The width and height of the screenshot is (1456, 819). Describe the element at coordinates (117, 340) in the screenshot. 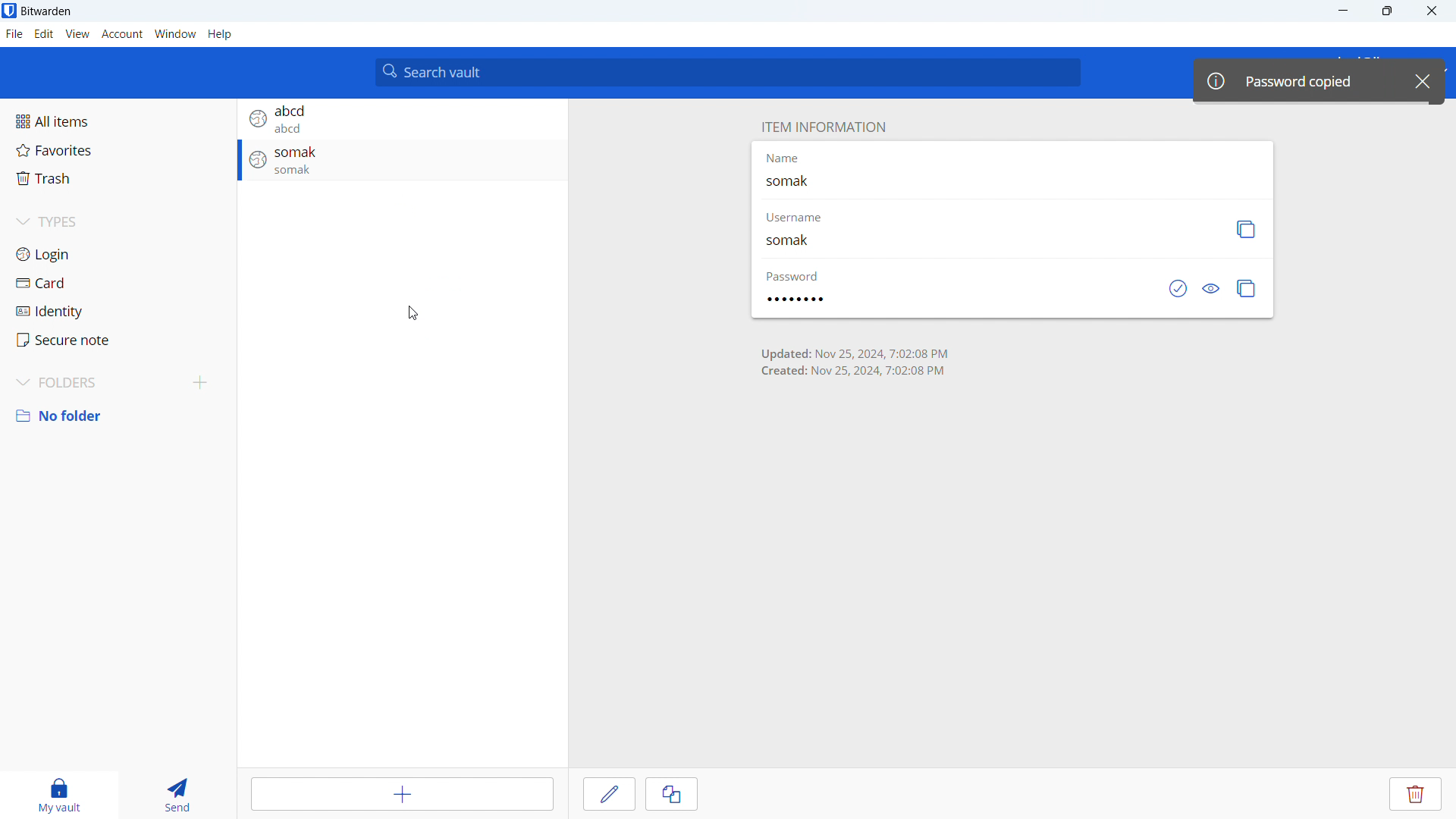

I see `secure note` at that location.